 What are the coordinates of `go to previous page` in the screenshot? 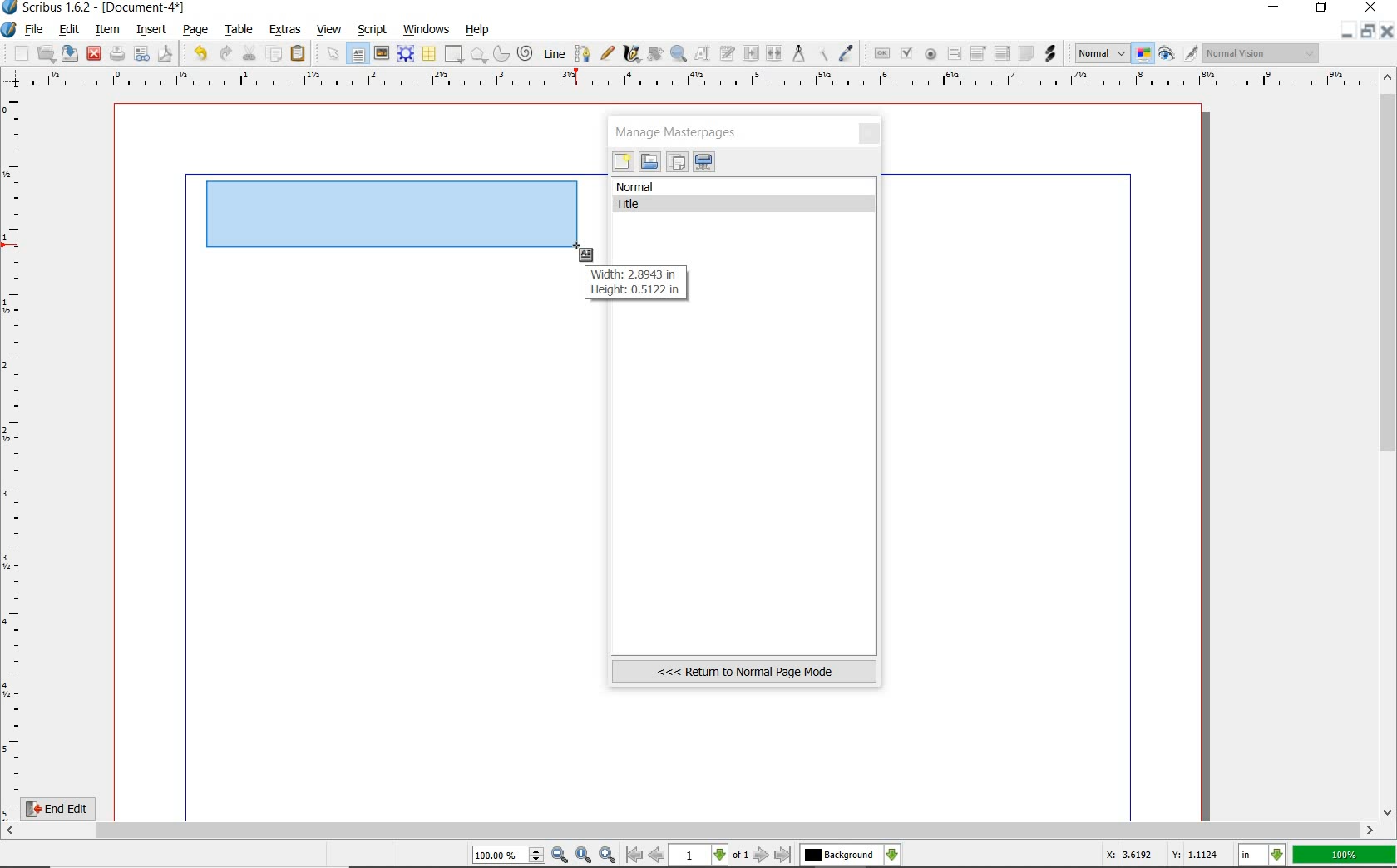 It's located at (659, 856).